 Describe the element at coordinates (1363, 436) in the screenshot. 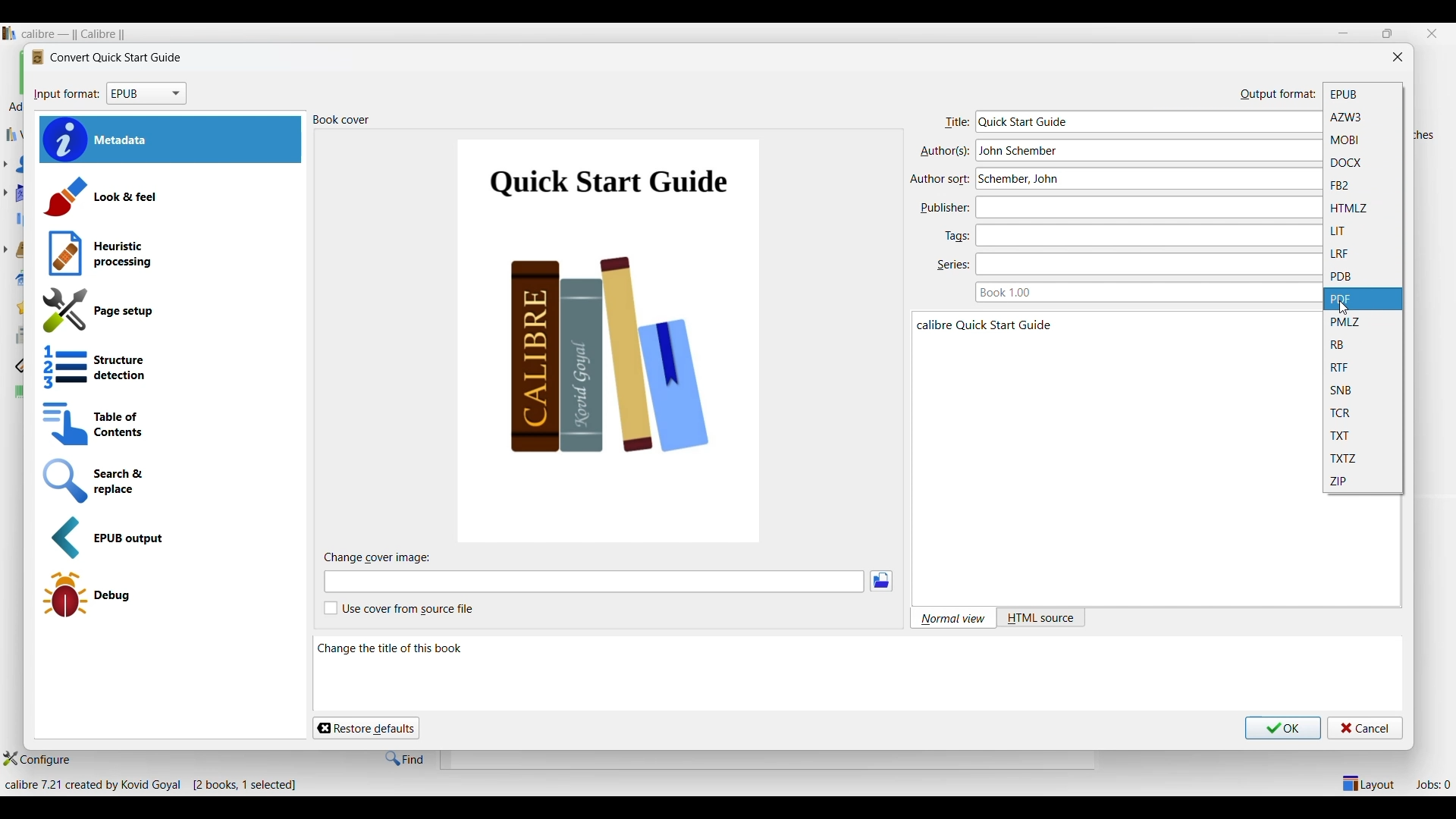

I see `TXT` at that location.